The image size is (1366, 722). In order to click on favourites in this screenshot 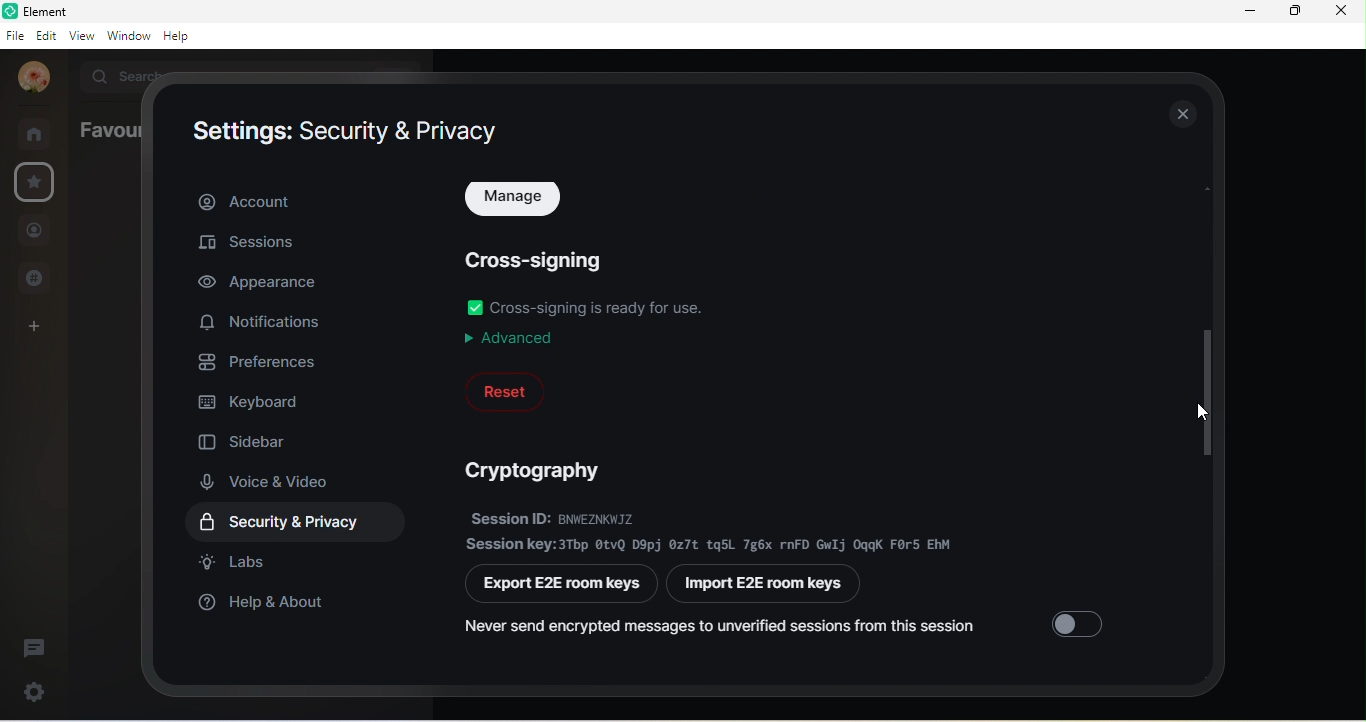, I will do `click(109, 128)`.